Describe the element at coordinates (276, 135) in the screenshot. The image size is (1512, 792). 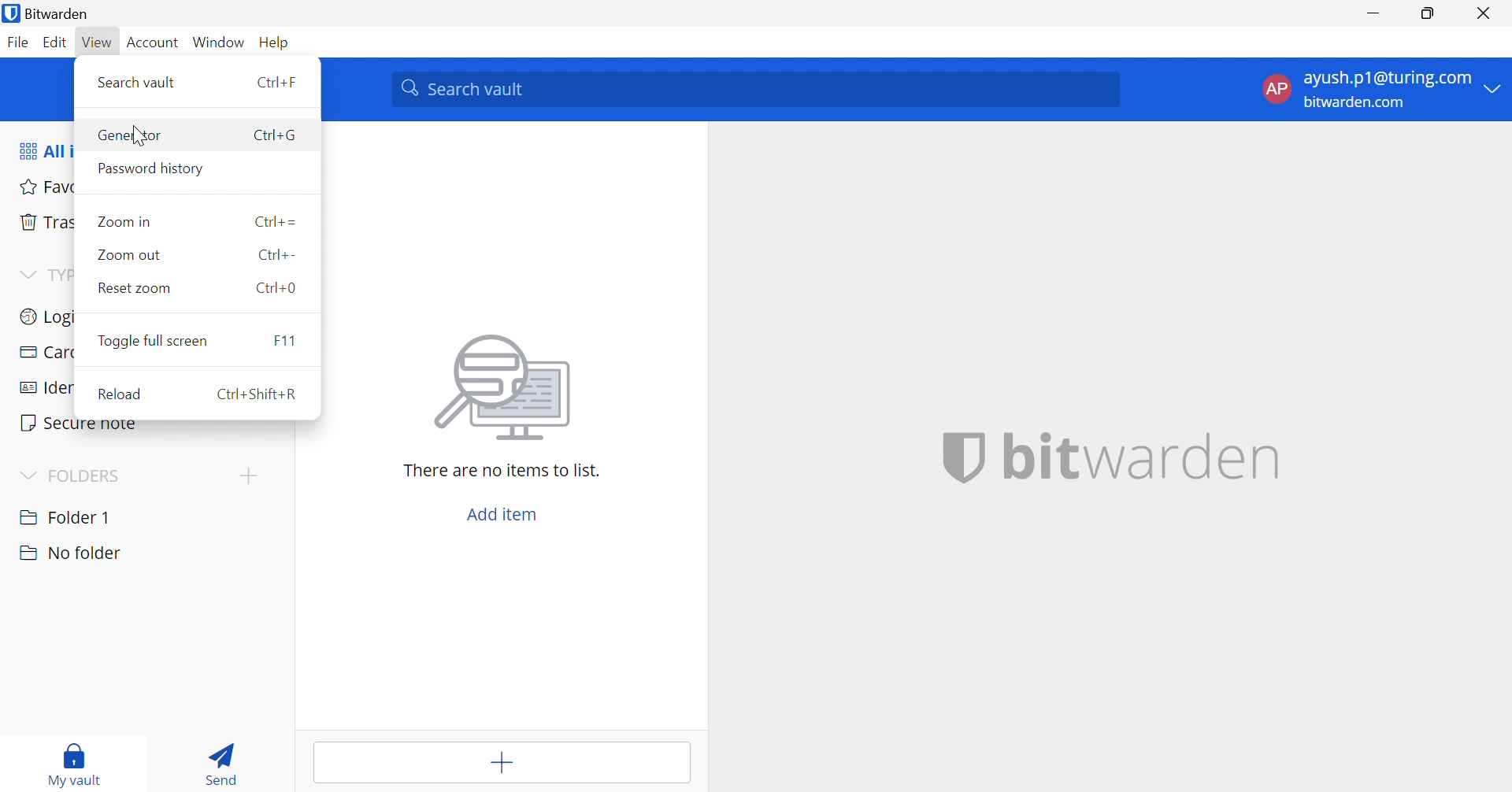
I see `Ctrl+C` at that location.